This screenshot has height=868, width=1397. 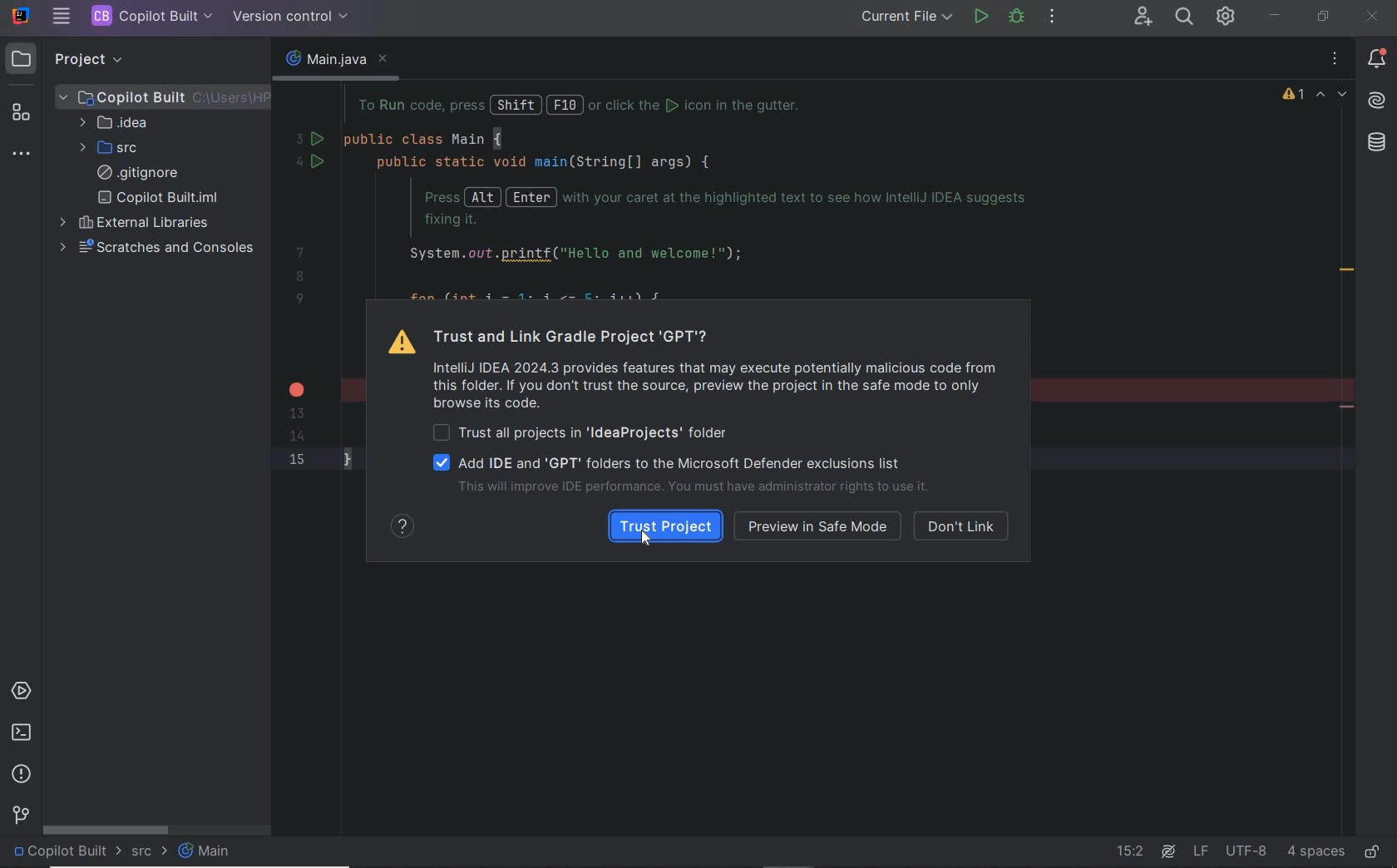 What do you see at coordinates (980, 17) in the screenshot?
I see `RUN` at bounding box center [980, 17].